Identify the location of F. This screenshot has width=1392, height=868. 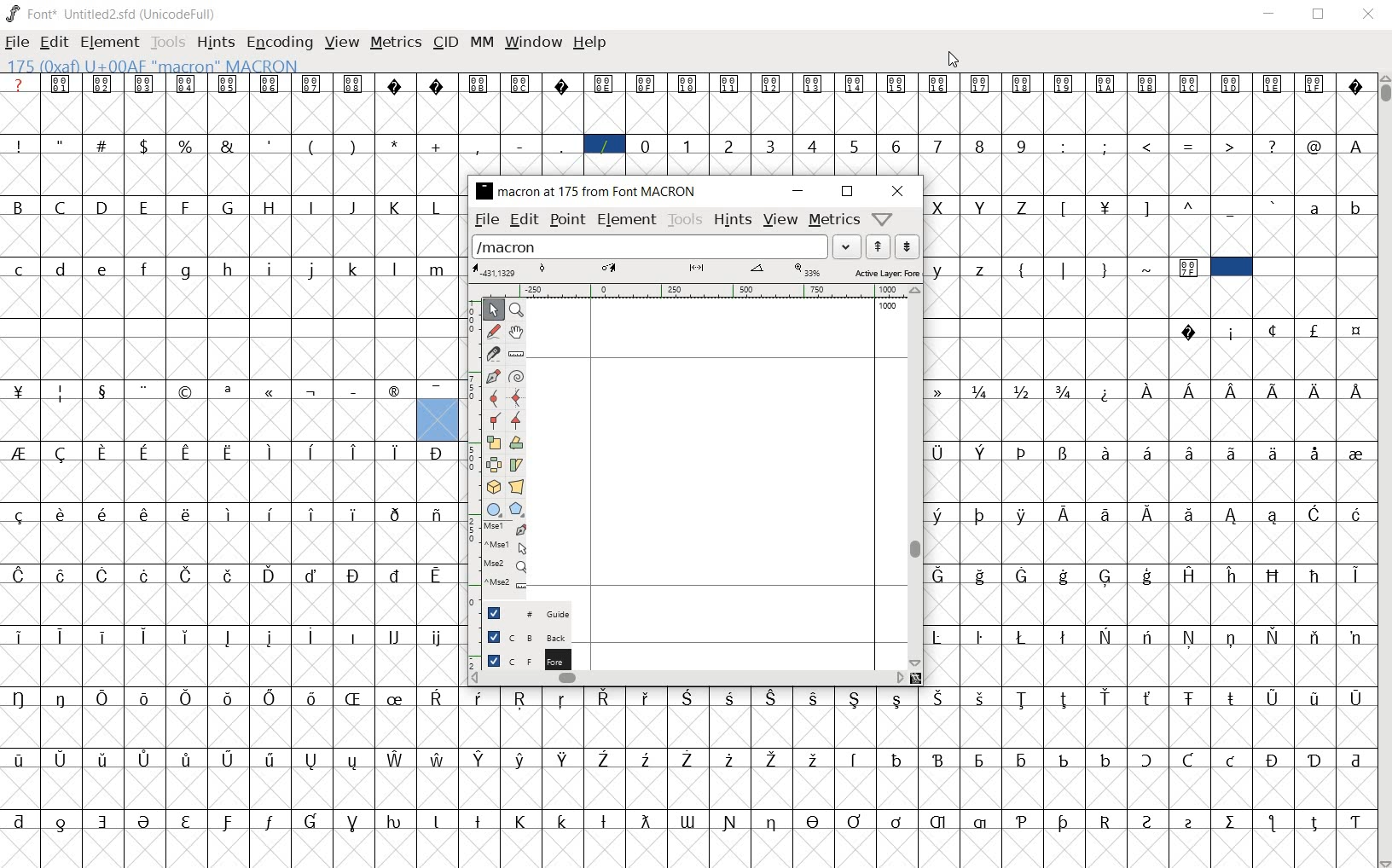
(188, 206).